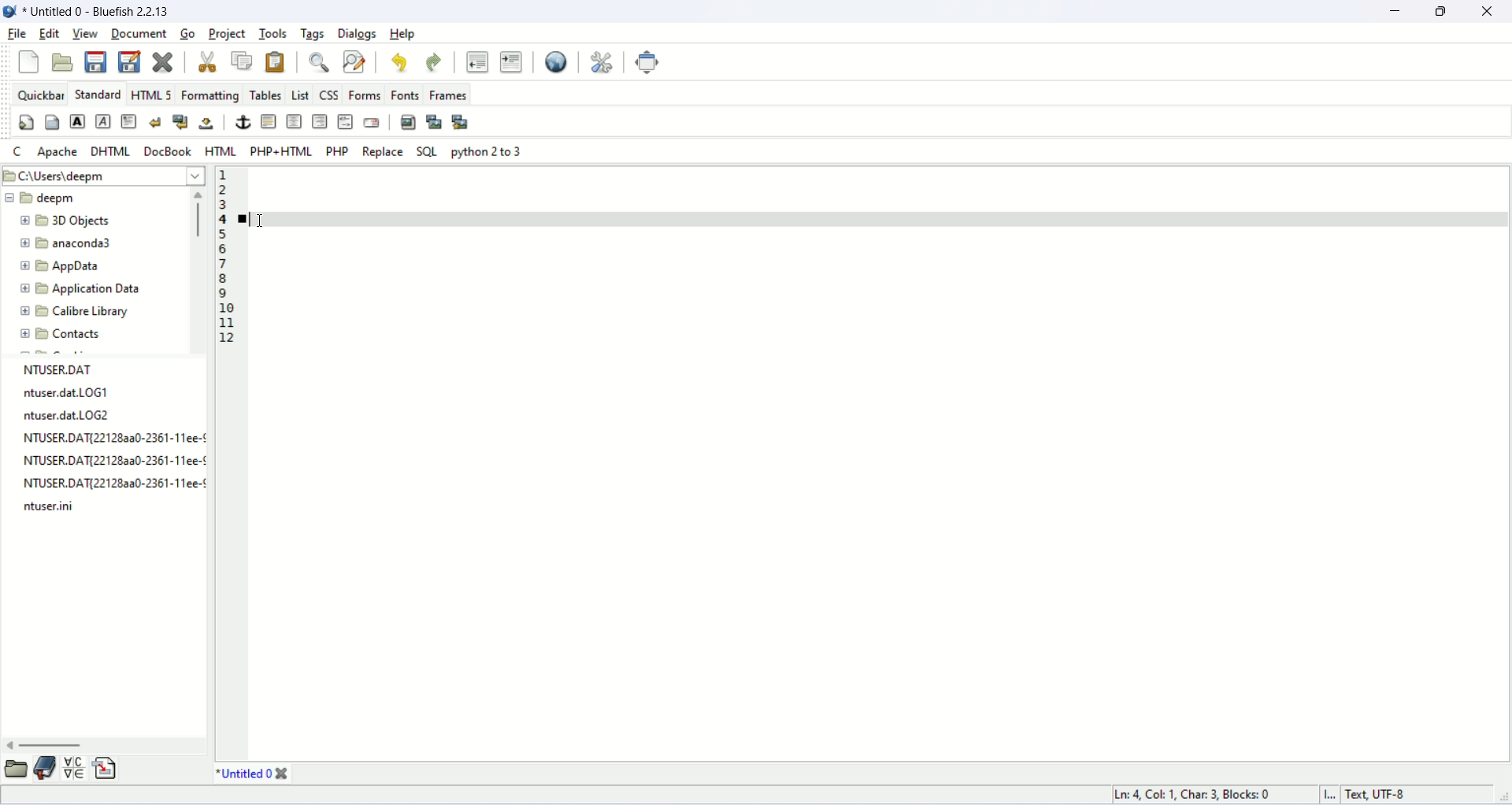  Describe the element at coordinates (433, 123) in the screenshot. I see `insert thumbnail` at that location.